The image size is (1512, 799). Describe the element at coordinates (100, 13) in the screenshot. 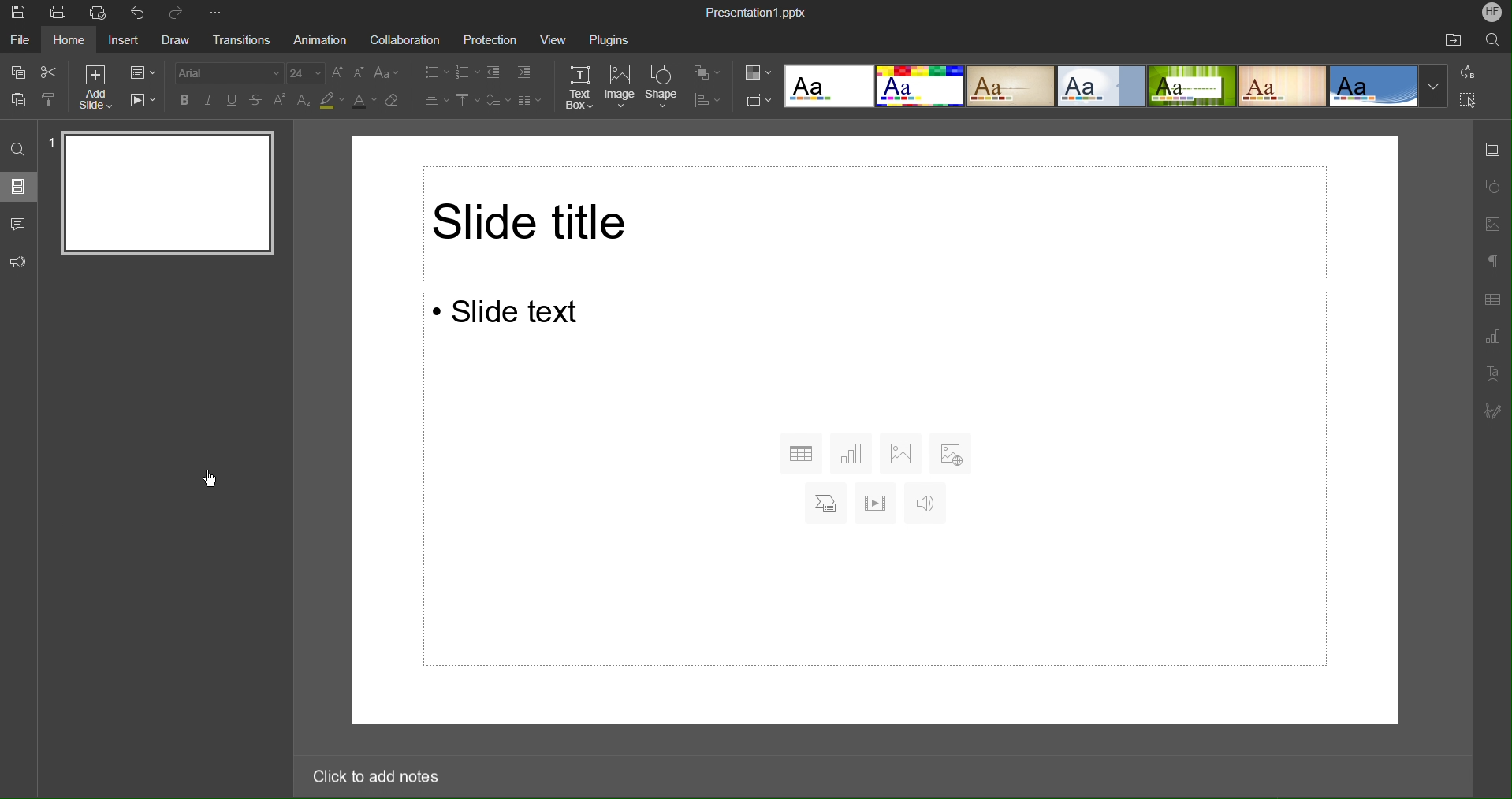

I see `Quick Print` at that location.